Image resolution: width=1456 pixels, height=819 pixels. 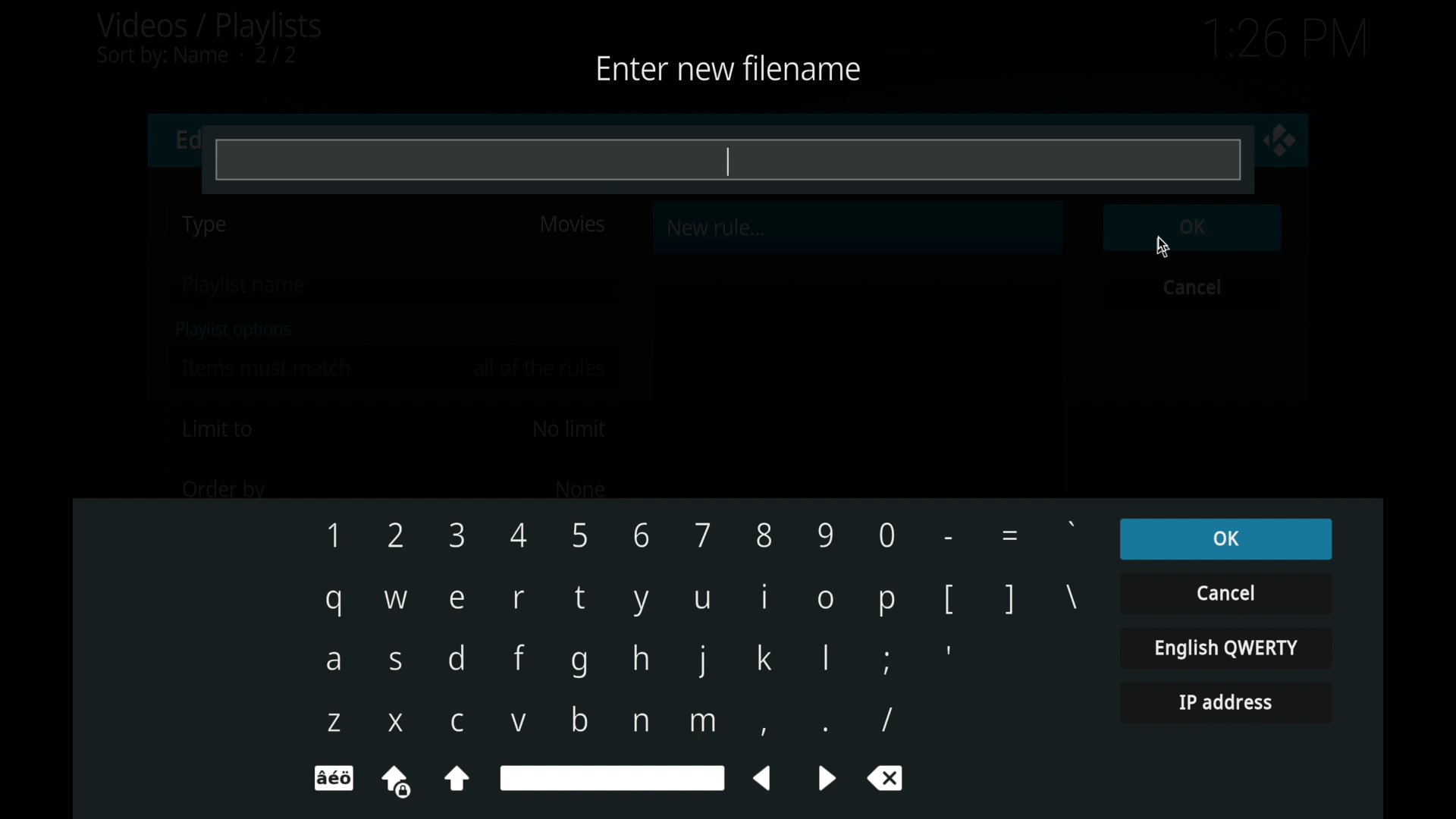 I want to click on playlist name, so click(x=247, y=287).